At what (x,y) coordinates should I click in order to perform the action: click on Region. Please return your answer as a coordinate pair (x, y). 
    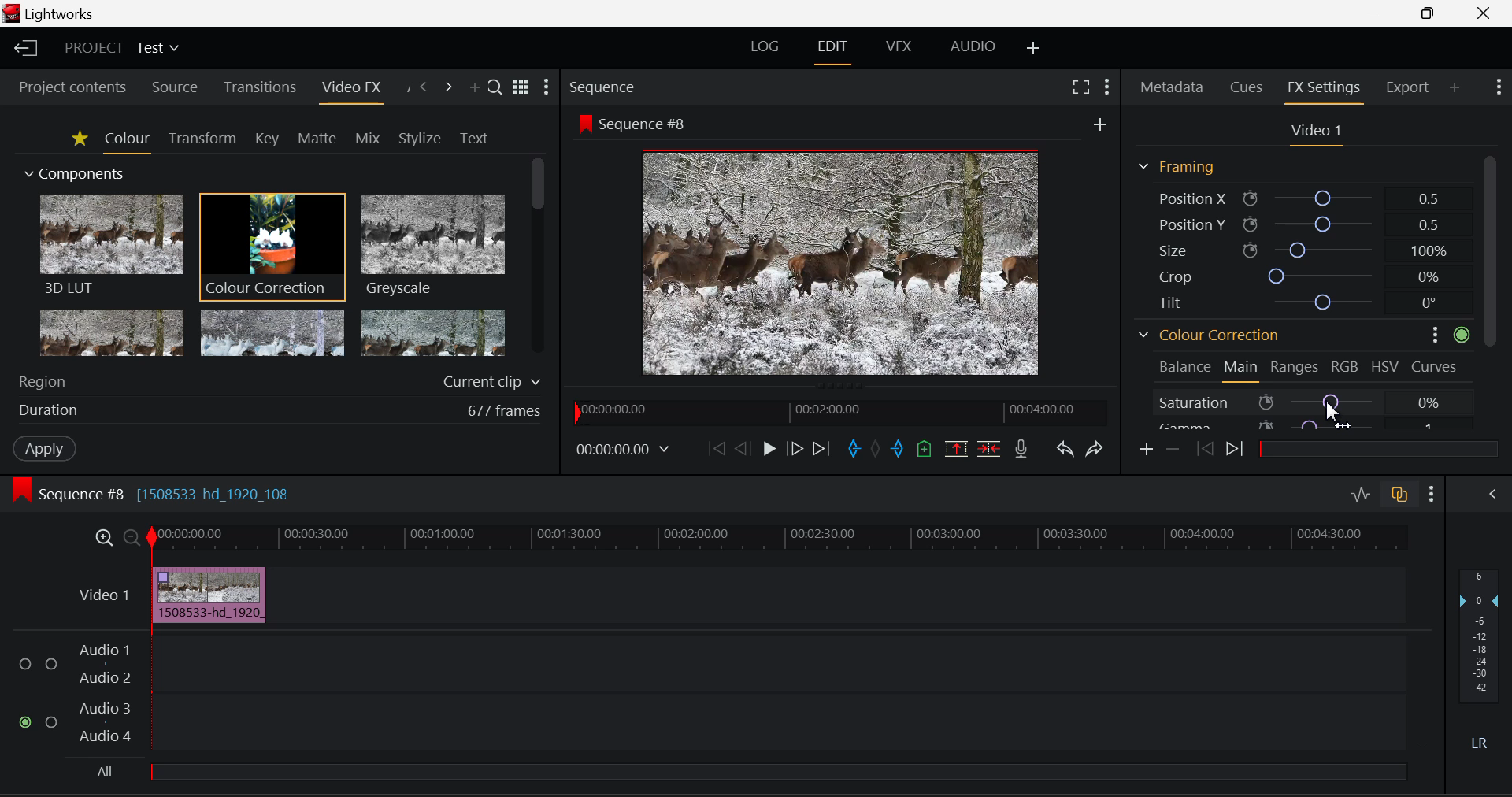
    Looking at the image, I should click on (280, 381).